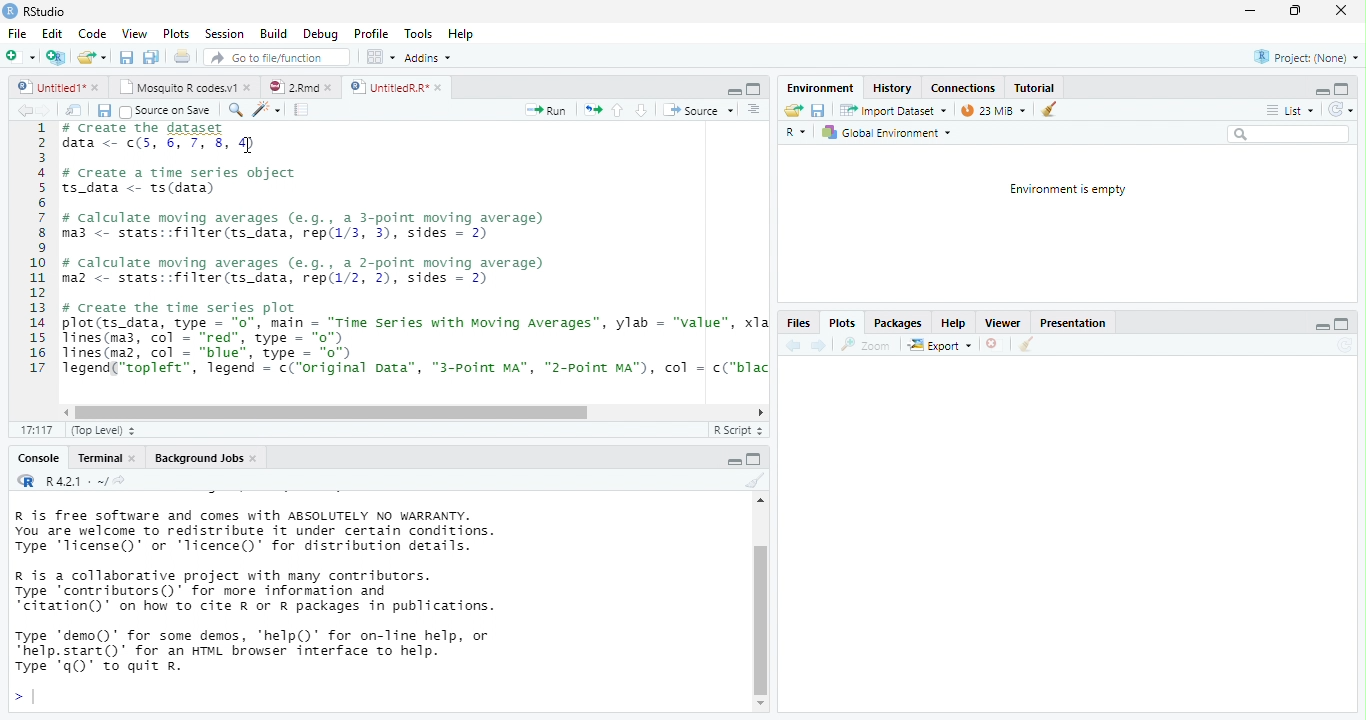 The image size is (1366, 720). I want to click on Console, so click(37, 459).